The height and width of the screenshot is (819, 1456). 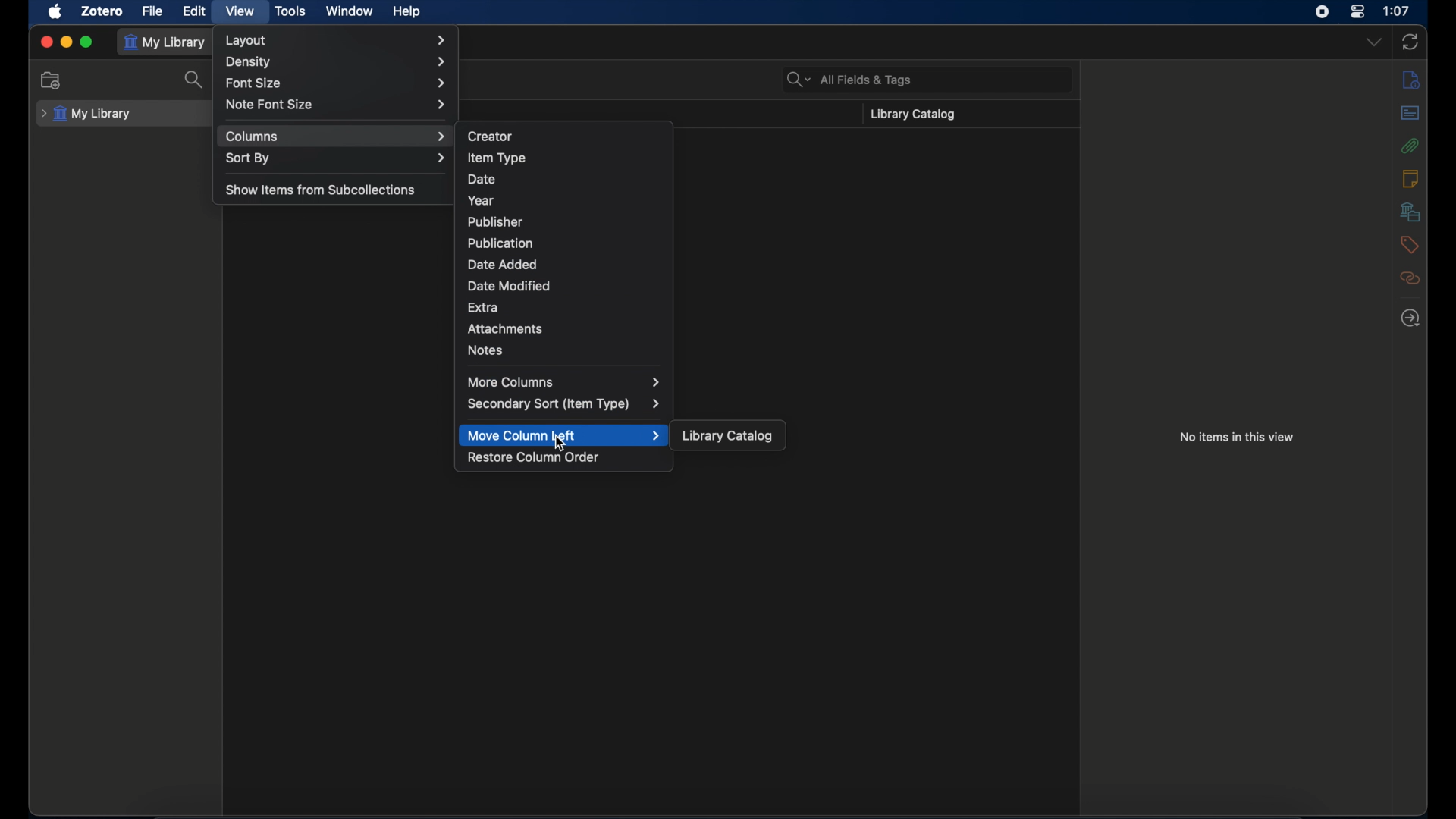 What do you see at coordinates (408, 12) in the screenshot?
I see `help` at bounding box center [408, 12].